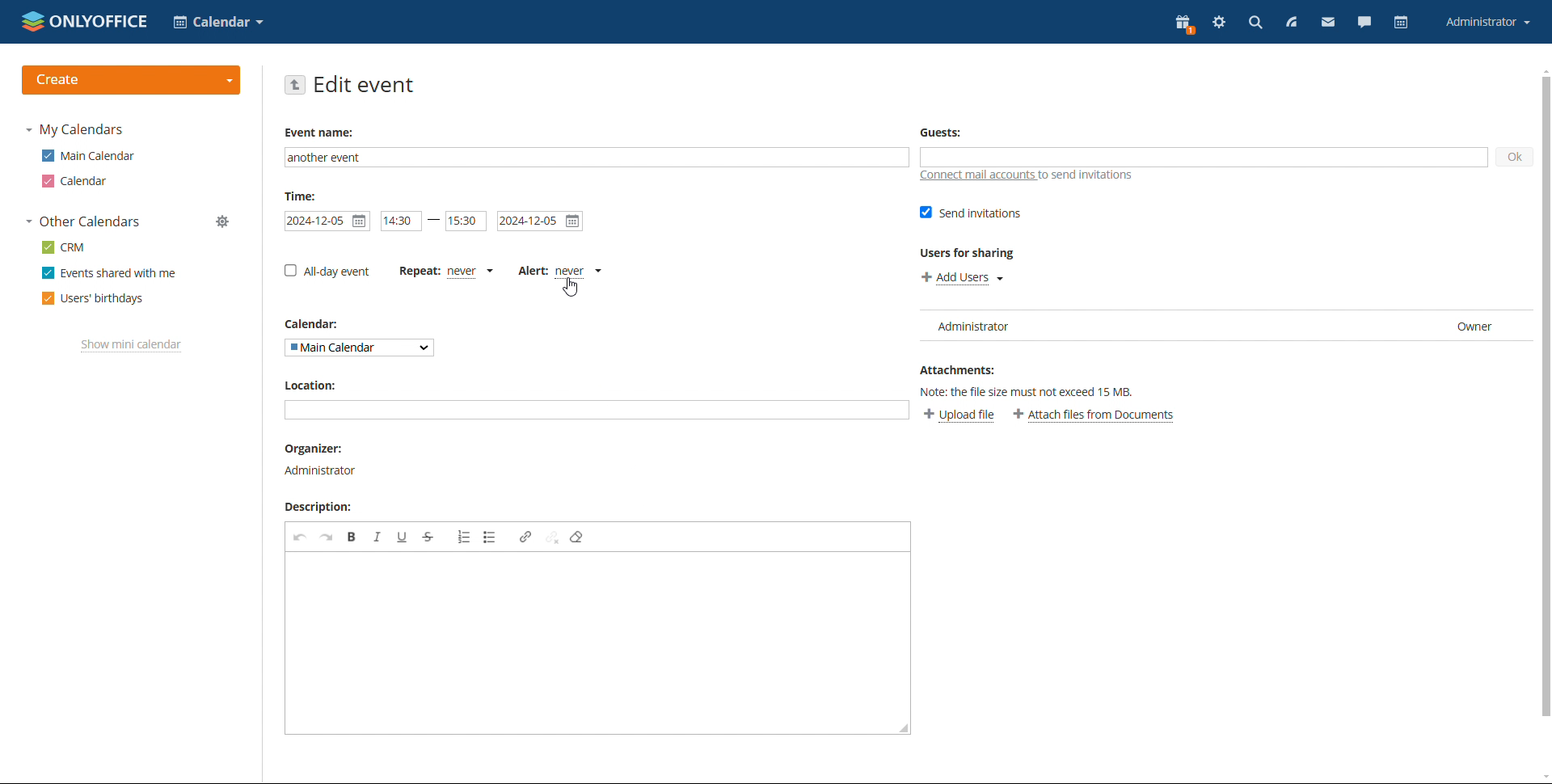 This screenshot has height=784, width=1552. Describe the element at coordinates (1487, 23) in the screenshot. I see `account` at that location.